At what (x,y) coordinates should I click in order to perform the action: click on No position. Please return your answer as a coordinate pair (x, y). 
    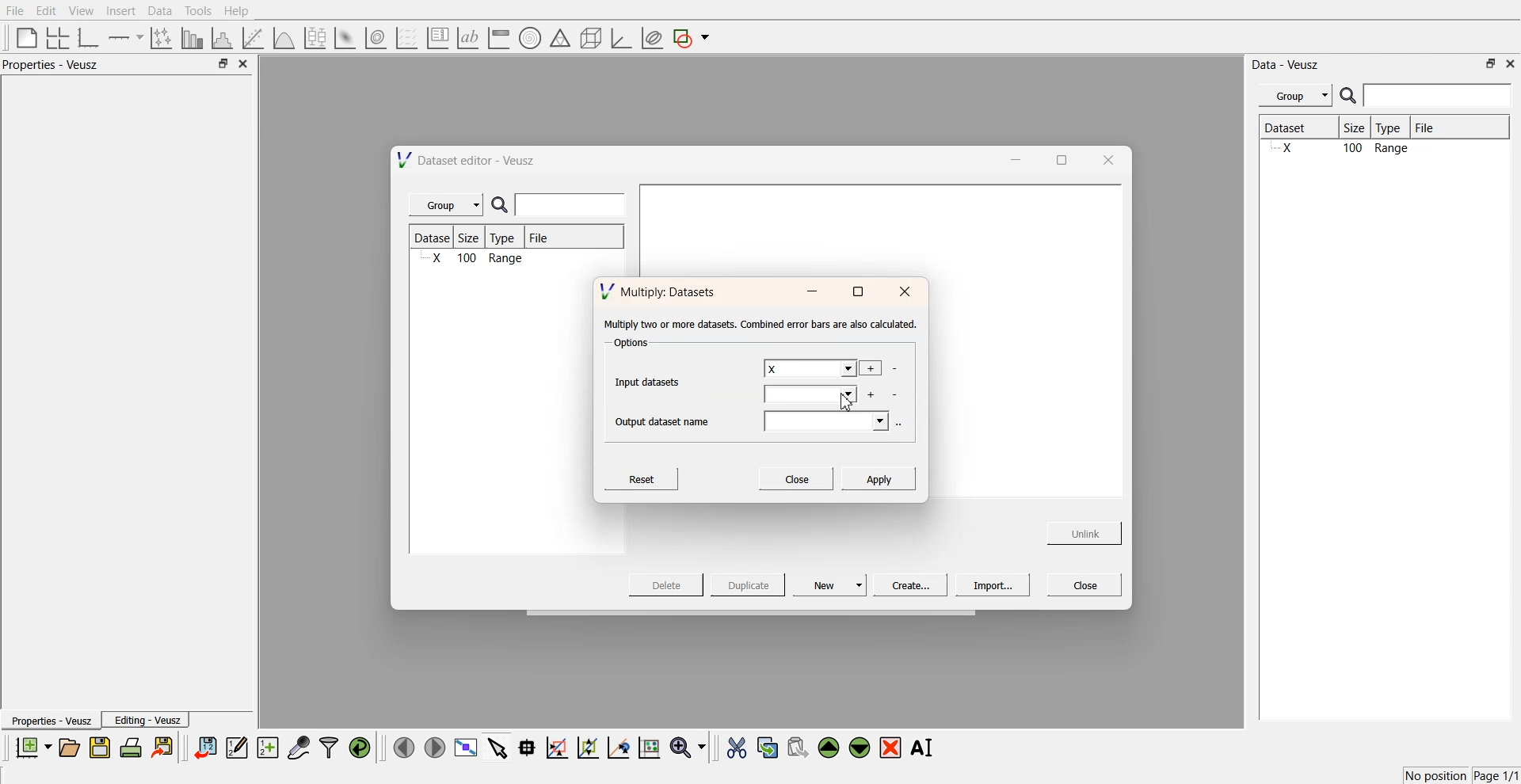
    Looking at the image, I should click on (1438, 774).